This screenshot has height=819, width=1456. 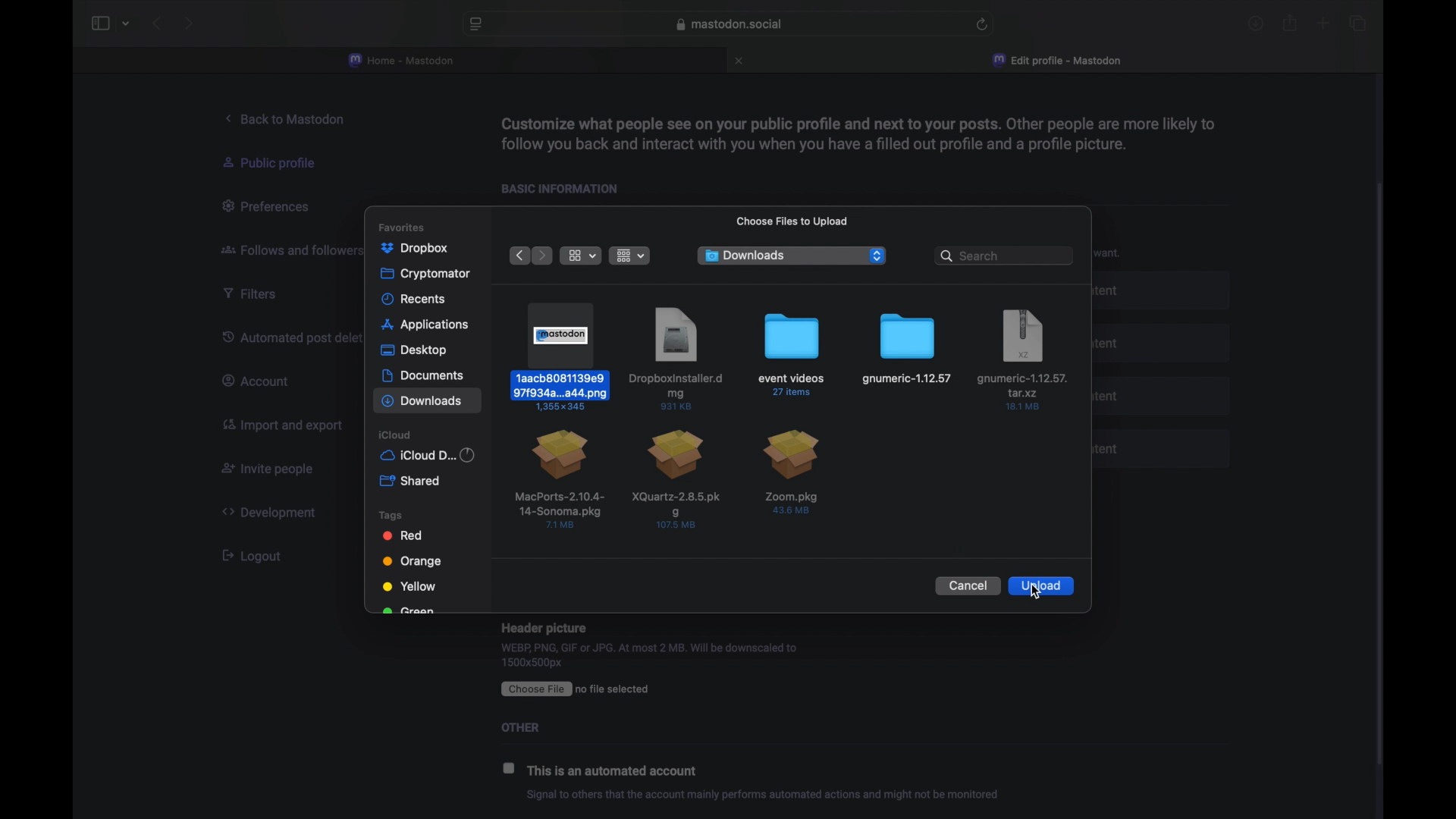 What do you see at coordinates (983, 24) in the screenshot?
I see `refresh` at bounding box center [983, 24].